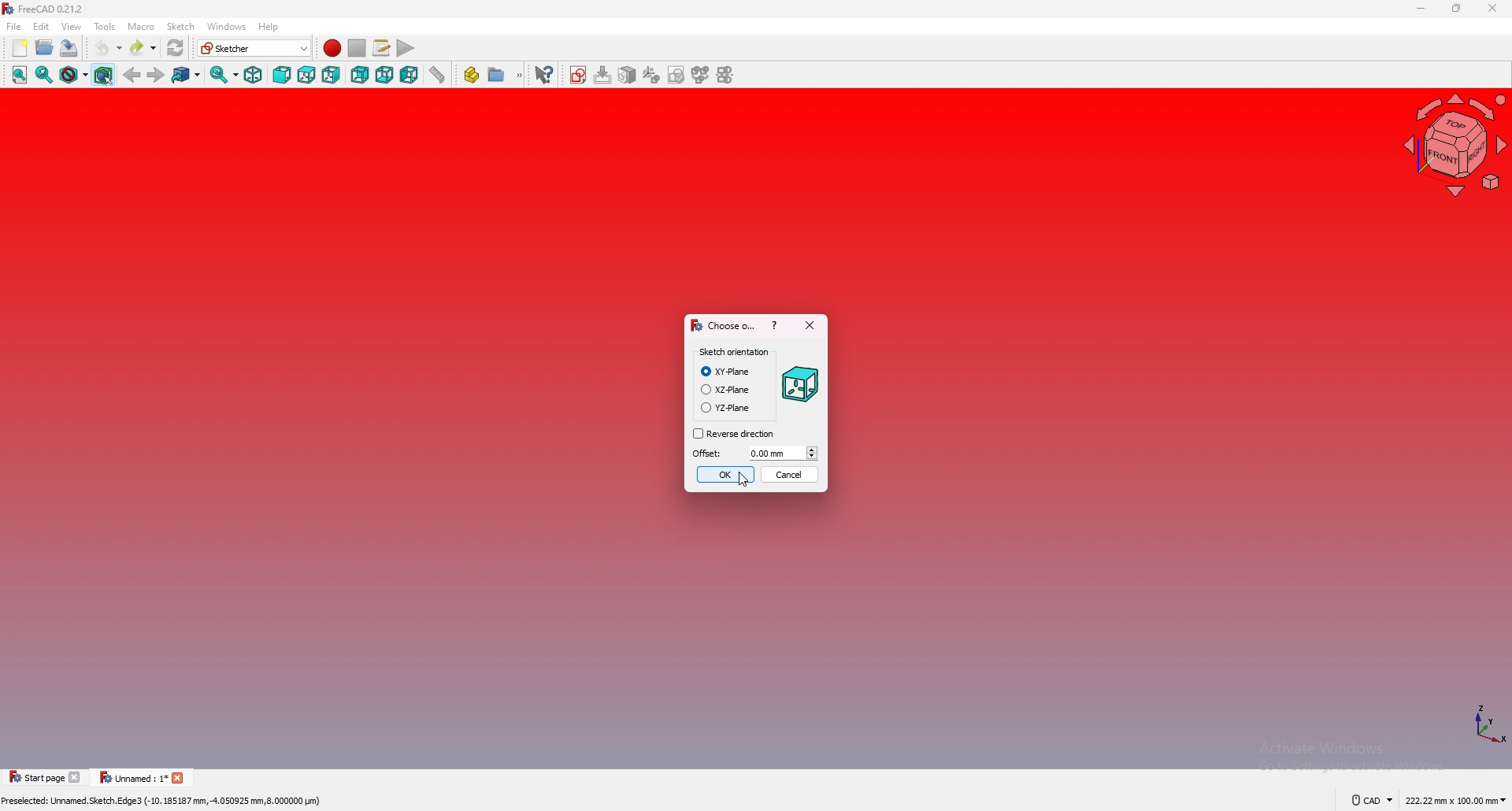 The width and height of the screenshot is (1512, 811). I want to click on minimize, so click(1422, 9).